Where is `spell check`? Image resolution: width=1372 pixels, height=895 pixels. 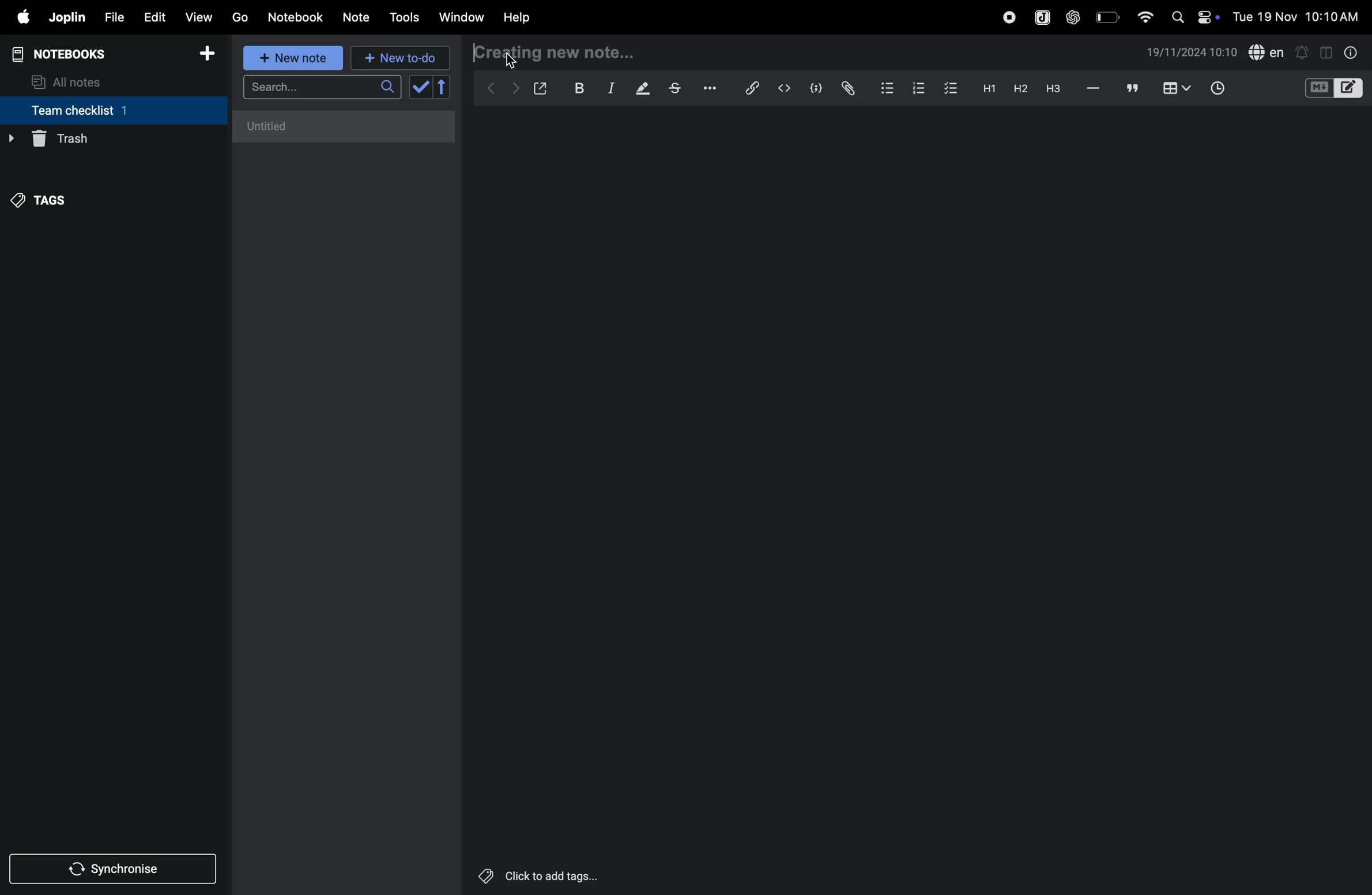
spell check is located at coordinates (1268, 52).